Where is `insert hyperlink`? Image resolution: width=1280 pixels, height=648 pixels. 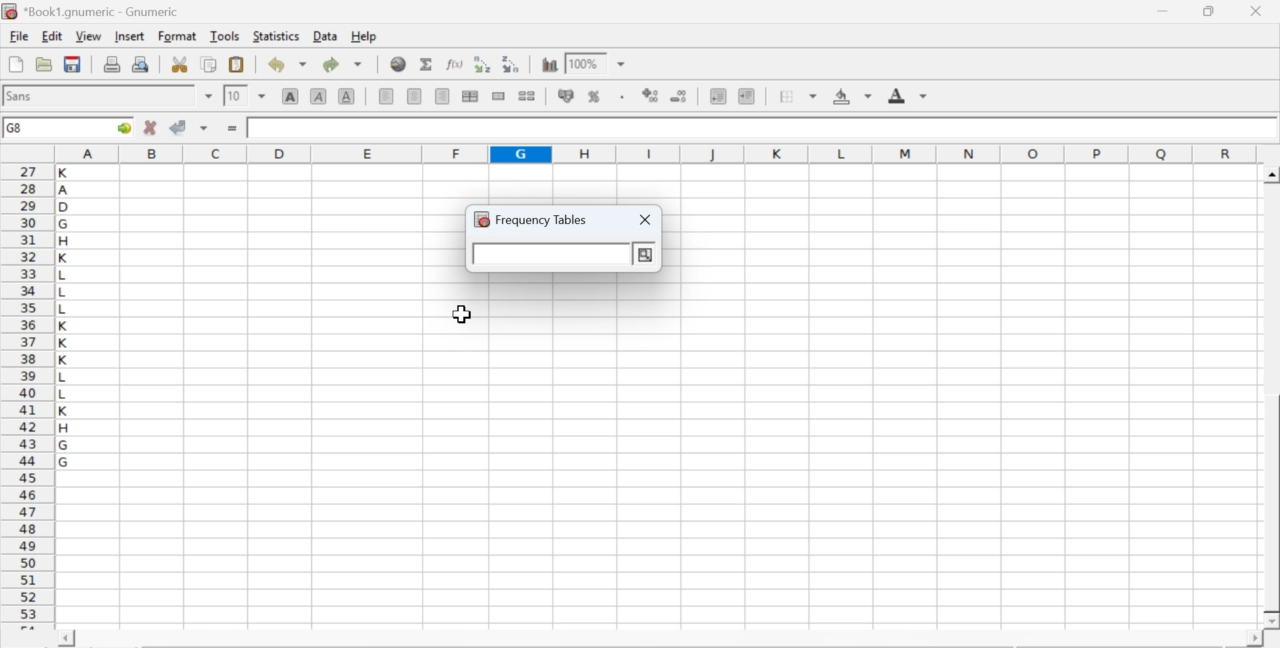
insert hyperlink is located at coordinates (399, 64).